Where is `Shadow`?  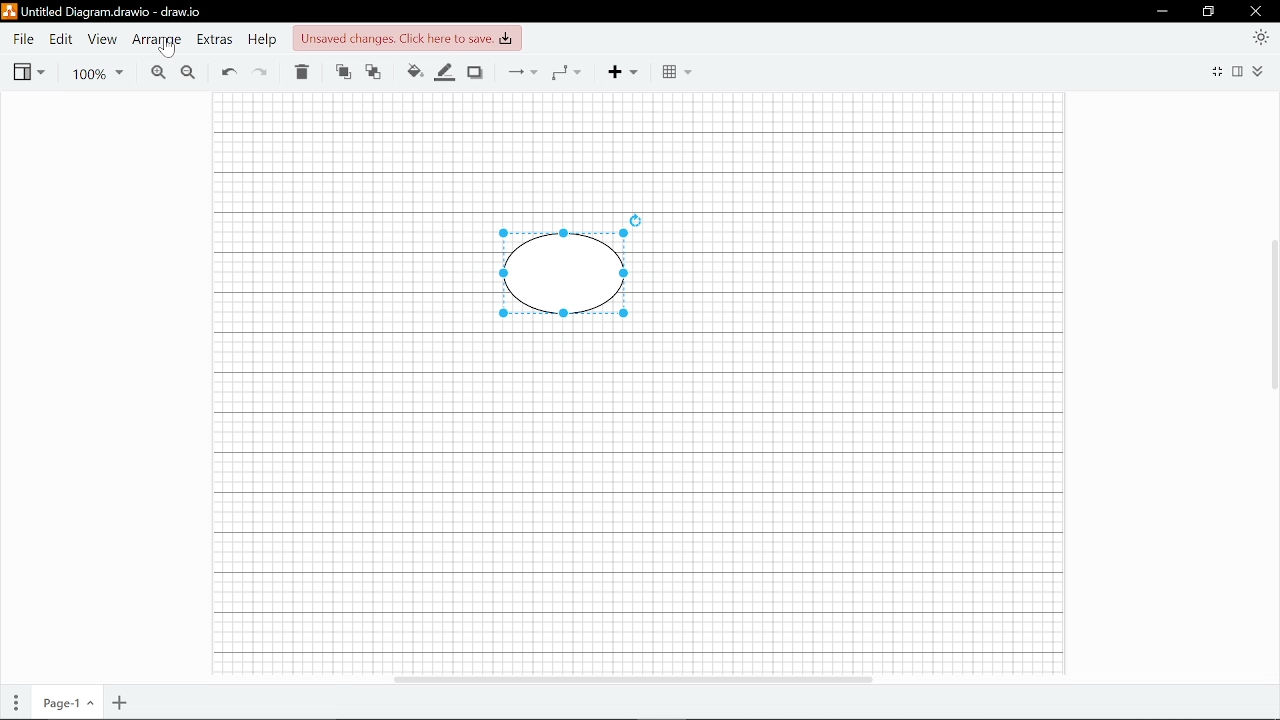 Shadow is located at coordinates (475, 73).